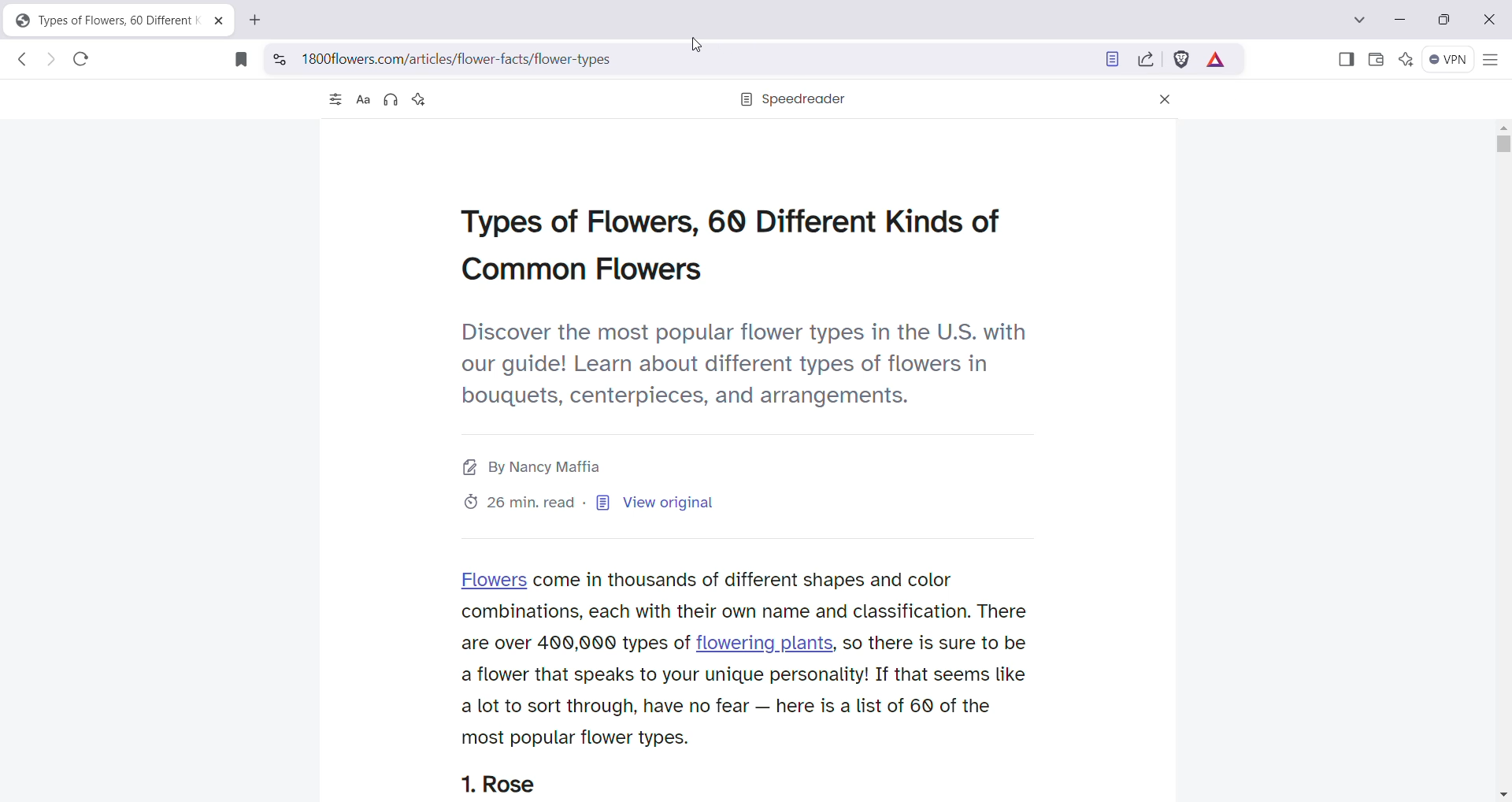 Image resolution: width=1512 pixels, height=802 pixels. I want to click on Tune Speedreader, so click(333, 101).